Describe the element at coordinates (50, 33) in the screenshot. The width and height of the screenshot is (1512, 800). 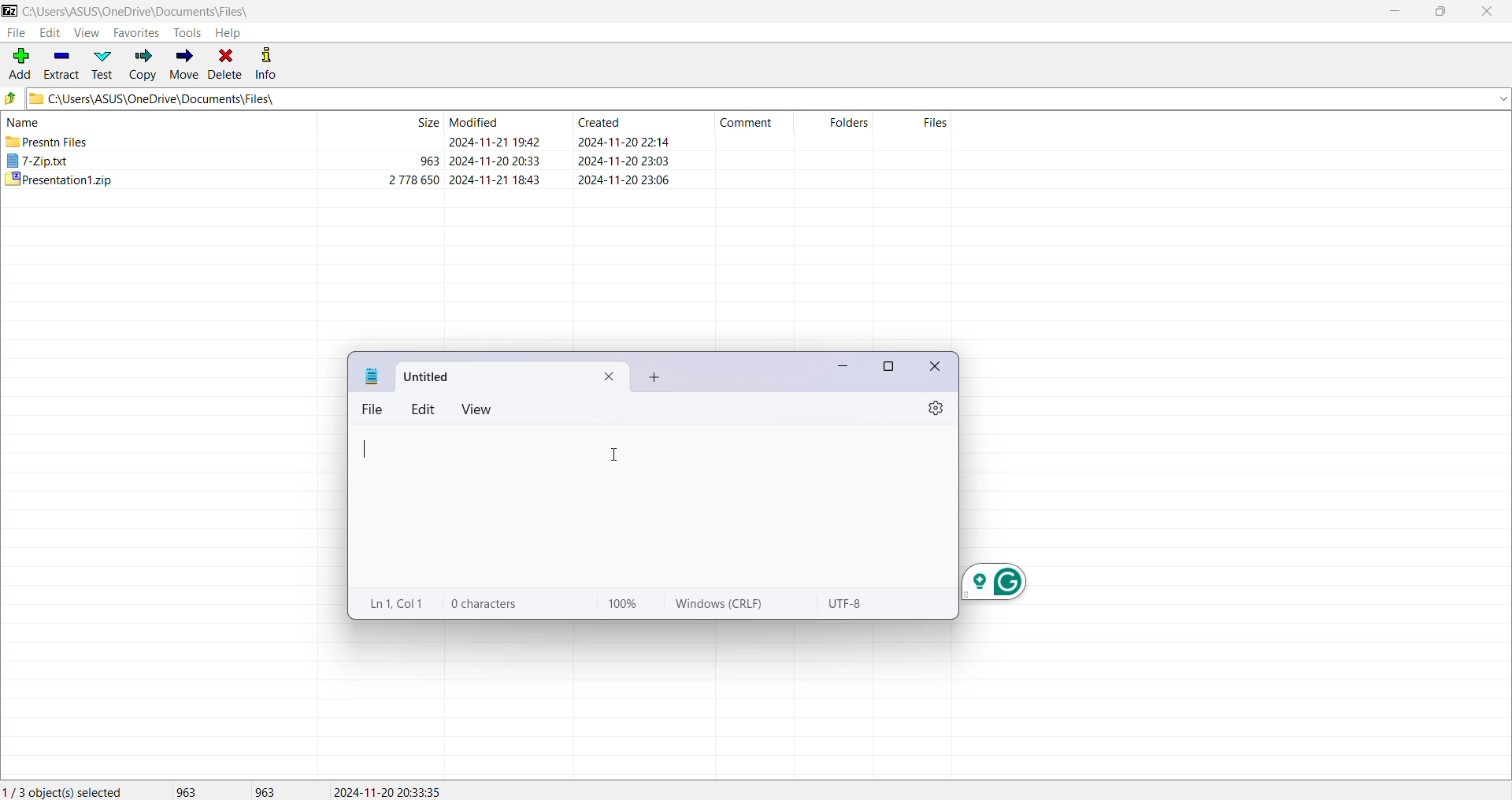
I see `Edit` at that location.